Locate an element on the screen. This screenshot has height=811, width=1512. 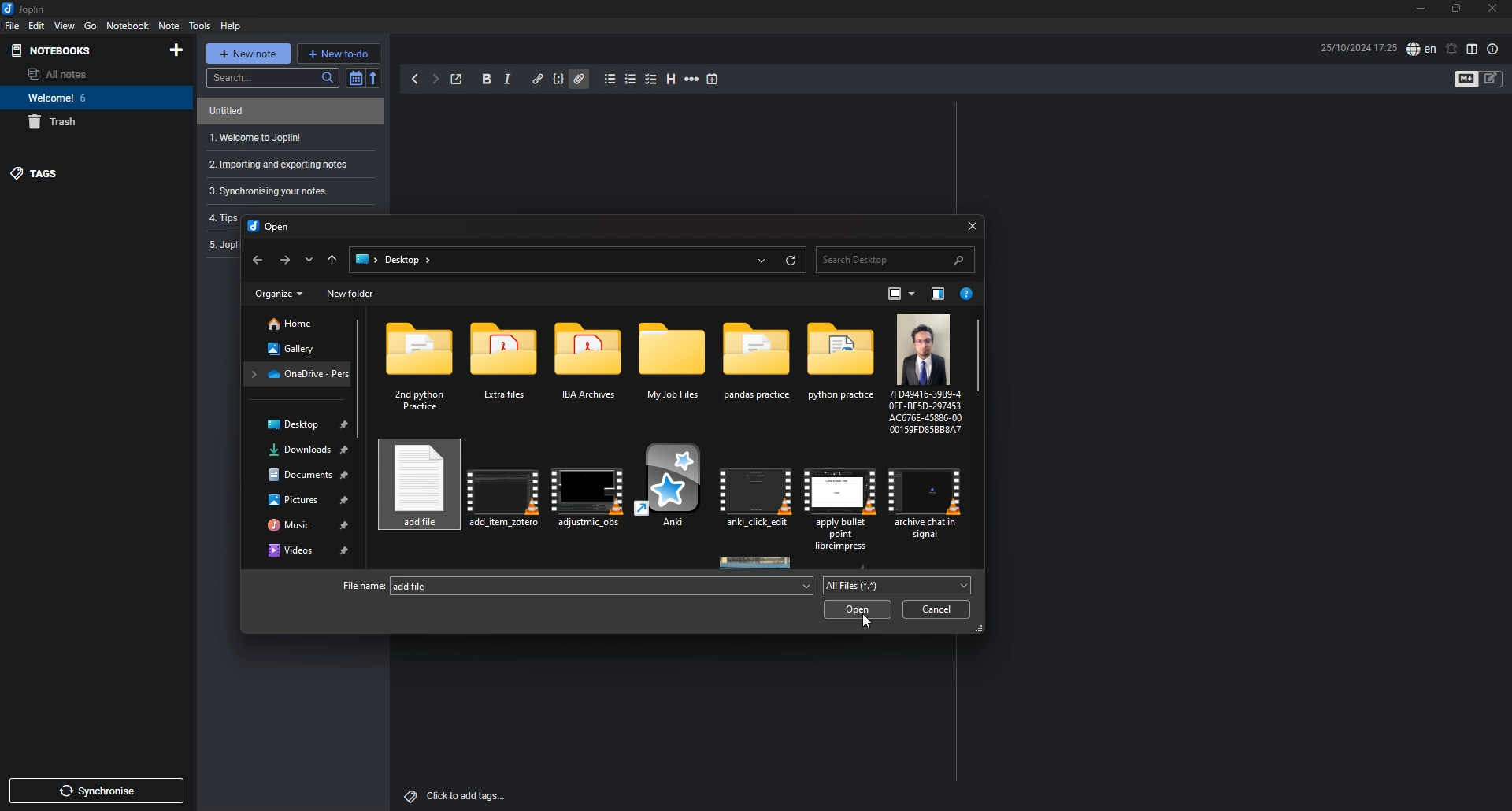
recent is located at coordinates (308, 259).